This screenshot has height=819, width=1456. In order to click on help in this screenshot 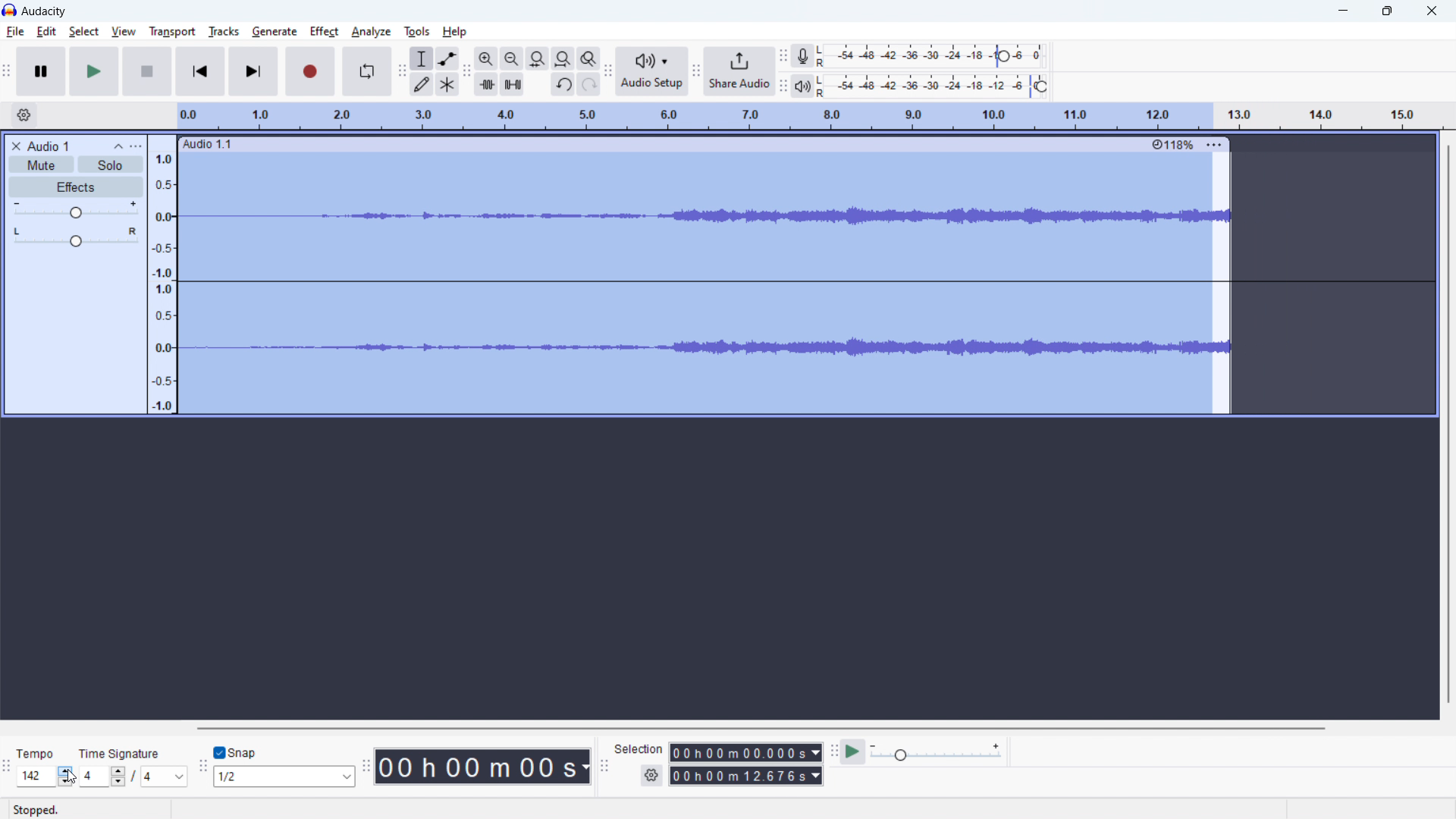, I will do `click(456, 32)`.